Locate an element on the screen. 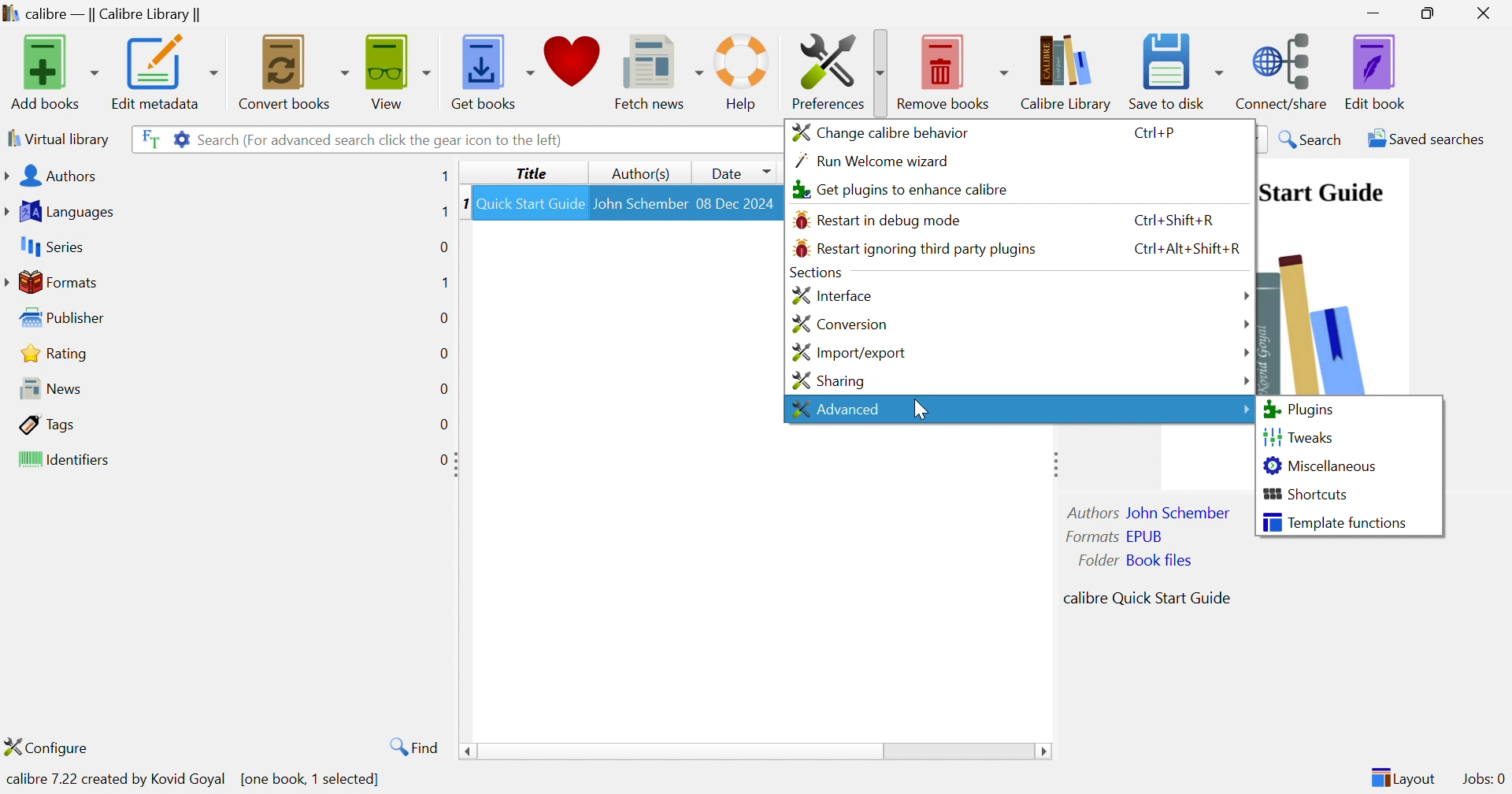 The height and width of the screenshot is (794, 1512). 1 is located at coordinates (463, 202).